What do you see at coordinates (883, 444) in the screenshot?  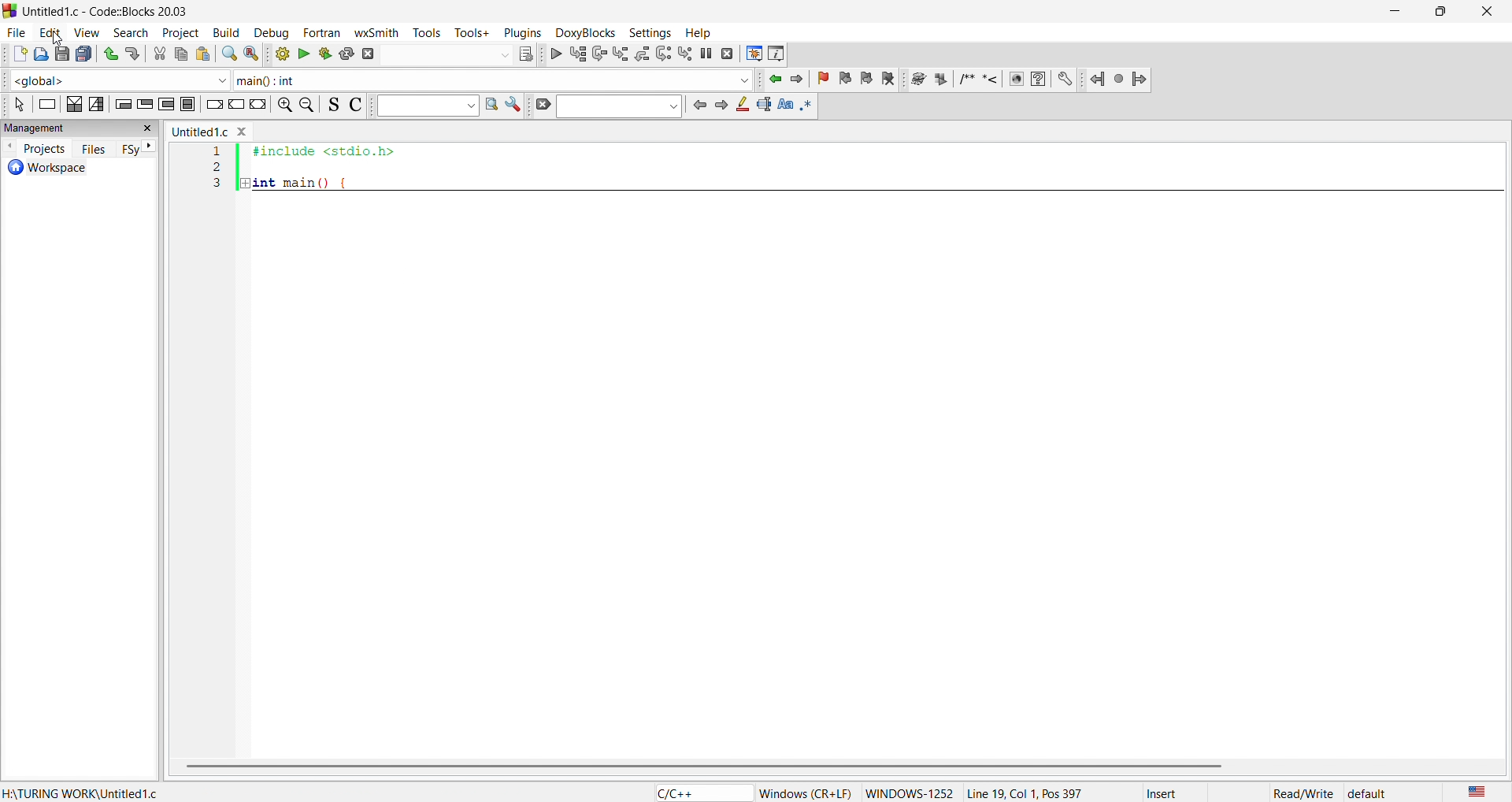 I see `code editor` at bounding box center [883, 444].